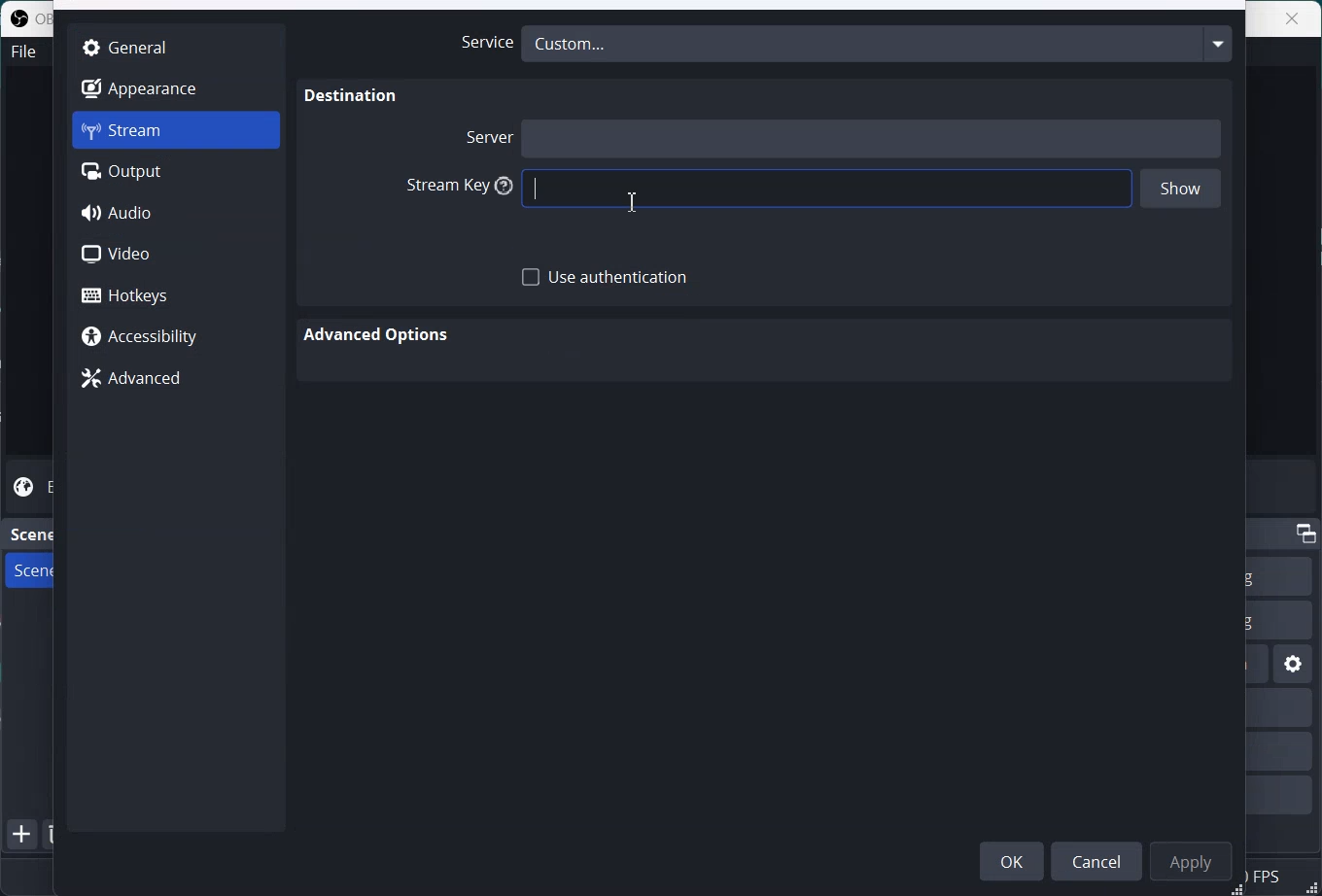 The width and height of the screenshot is (1322, 896). Describe the element at coordinates (175, 87) in the screenshot. I see `Appearance` at that location.